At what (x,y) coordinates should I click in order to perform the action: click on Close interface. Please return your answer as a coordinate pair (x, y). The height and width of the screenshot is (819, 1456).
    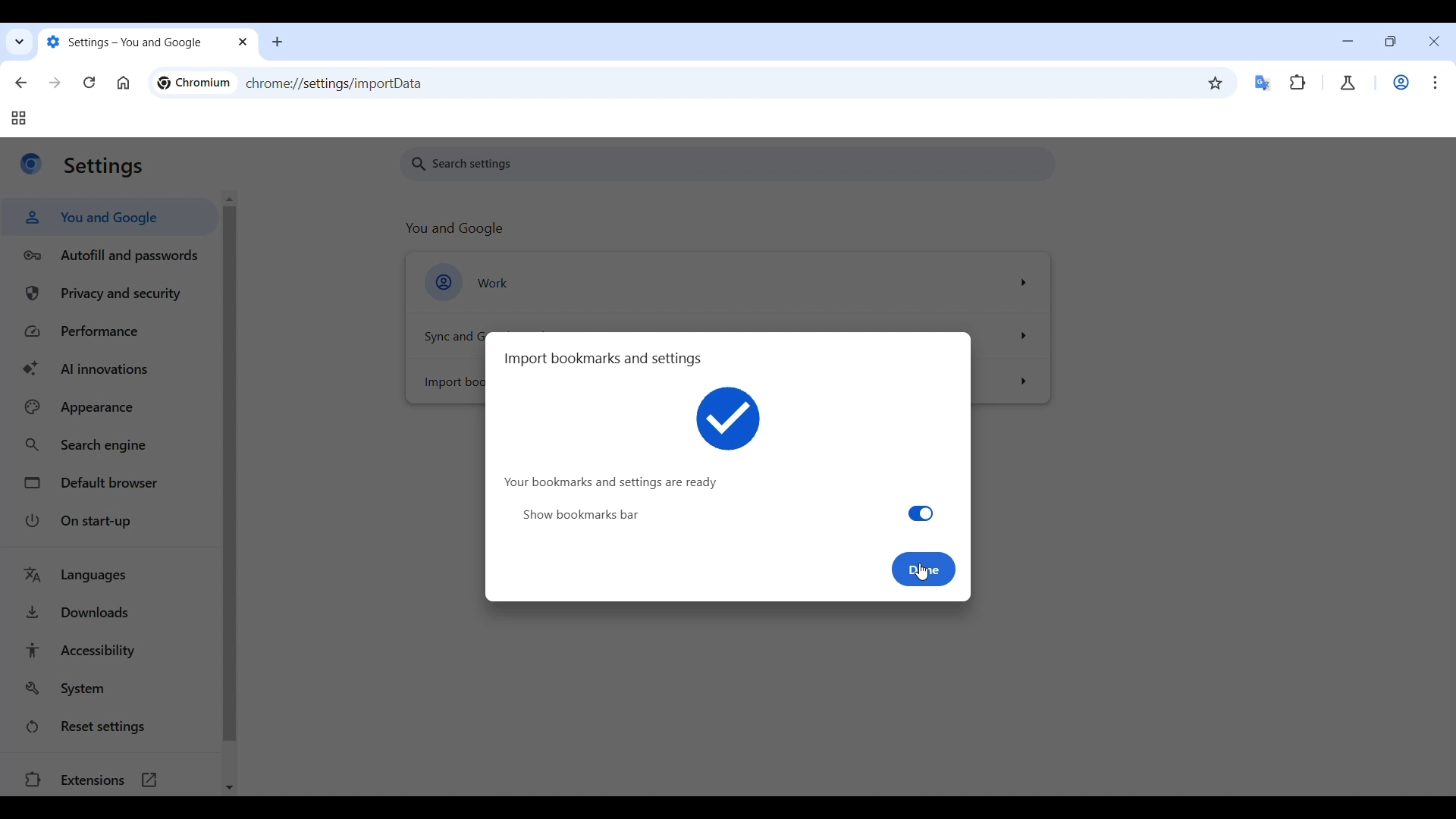
    Looking at the image, I should click on (1435, 41).